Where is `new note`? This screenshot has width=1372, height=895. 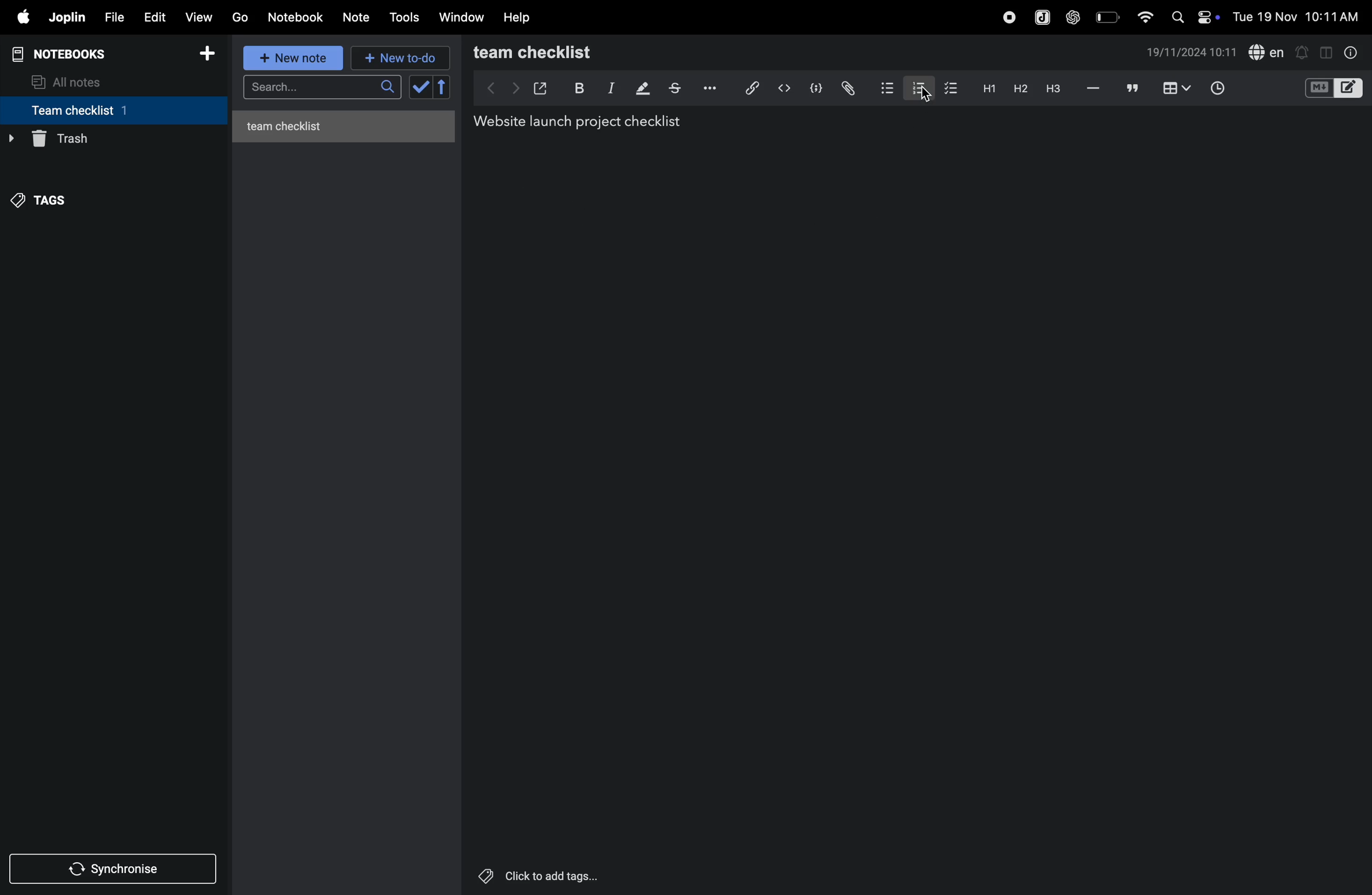 new note is located at coordinates (295, 59).